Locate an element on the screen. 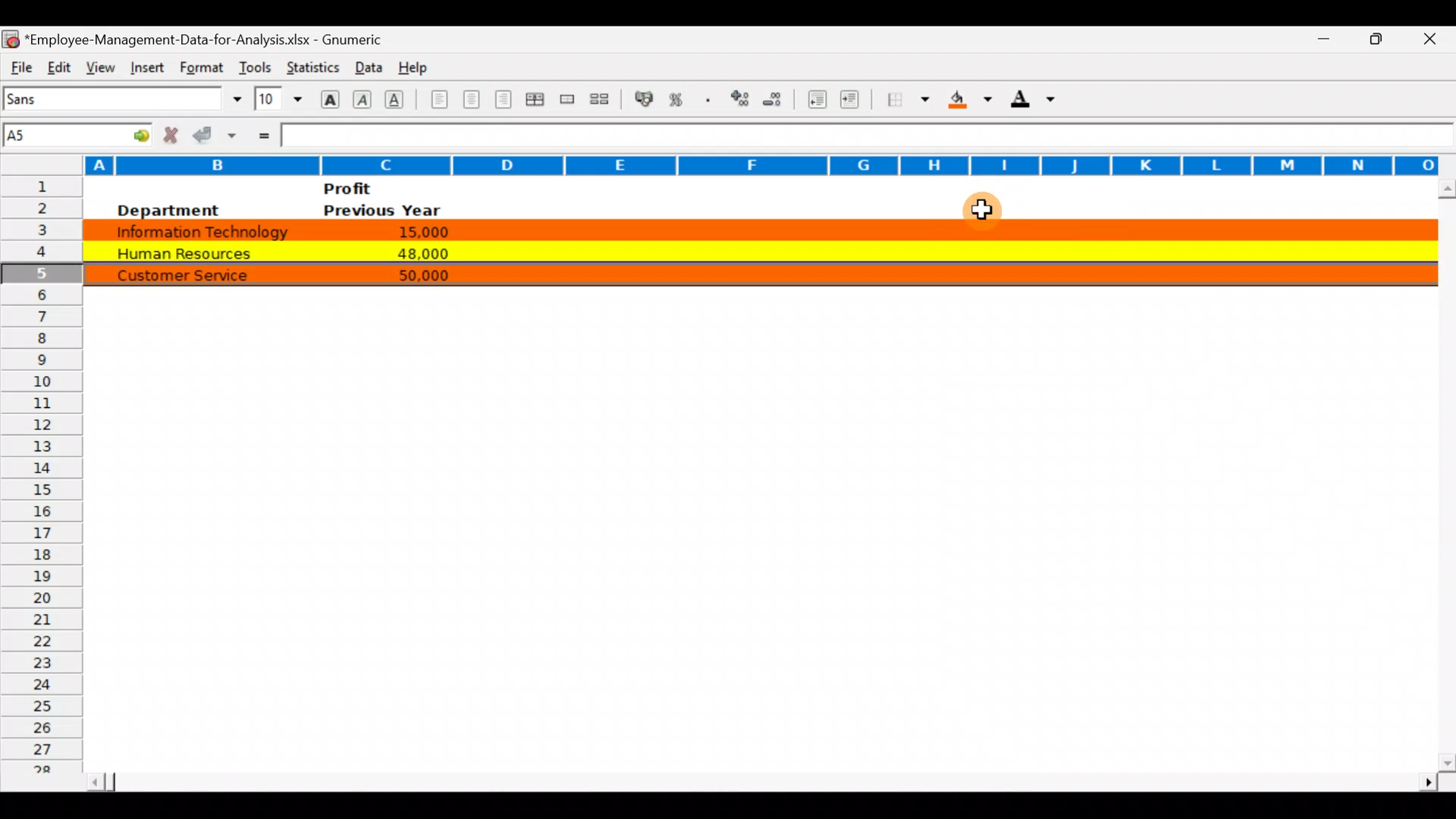  Help is located at coordinates (414, 64).